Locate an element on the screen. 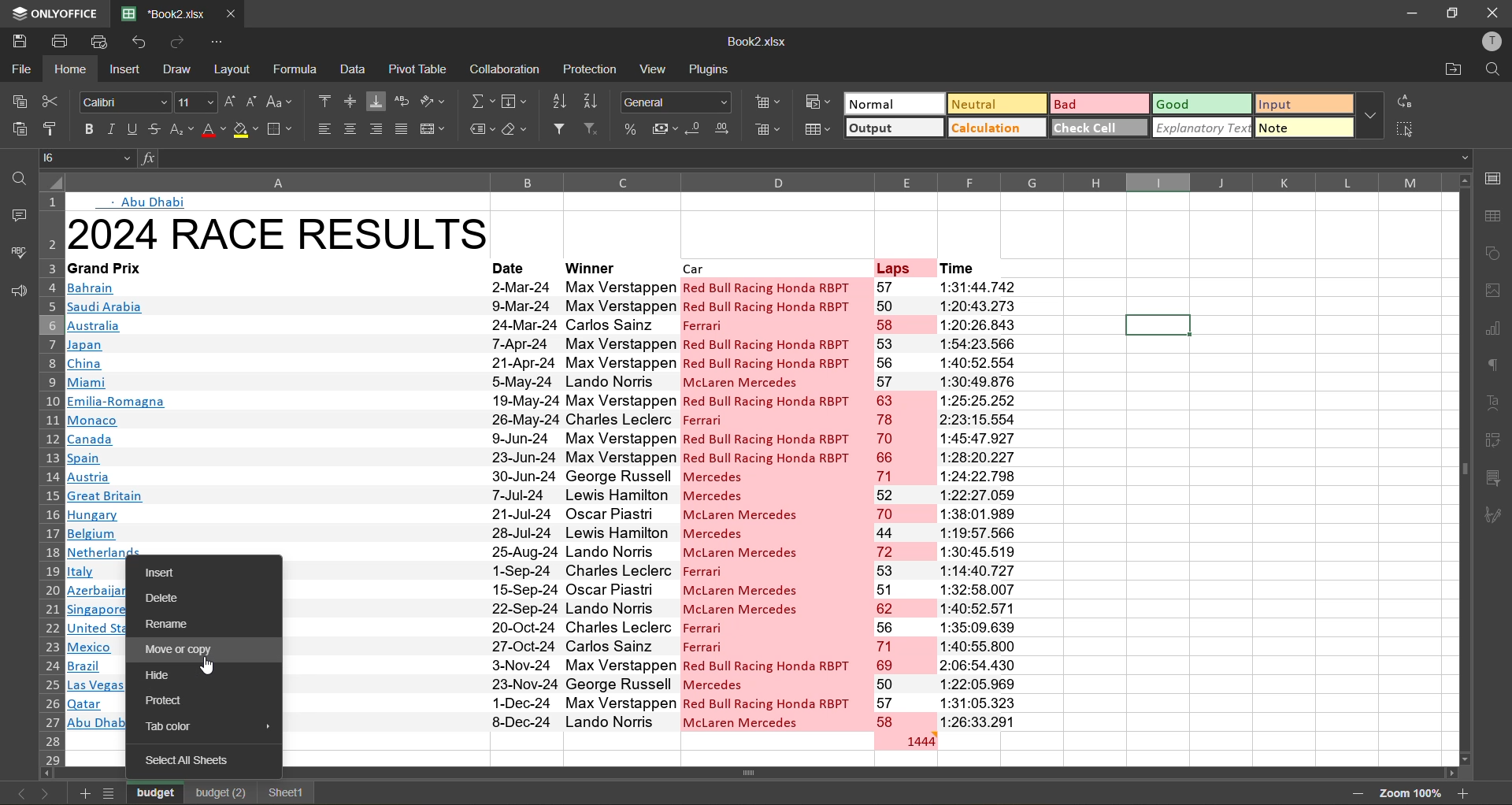 The width and height of the screenshot is (1512, 805). copy is located at coordinates (20, 102).